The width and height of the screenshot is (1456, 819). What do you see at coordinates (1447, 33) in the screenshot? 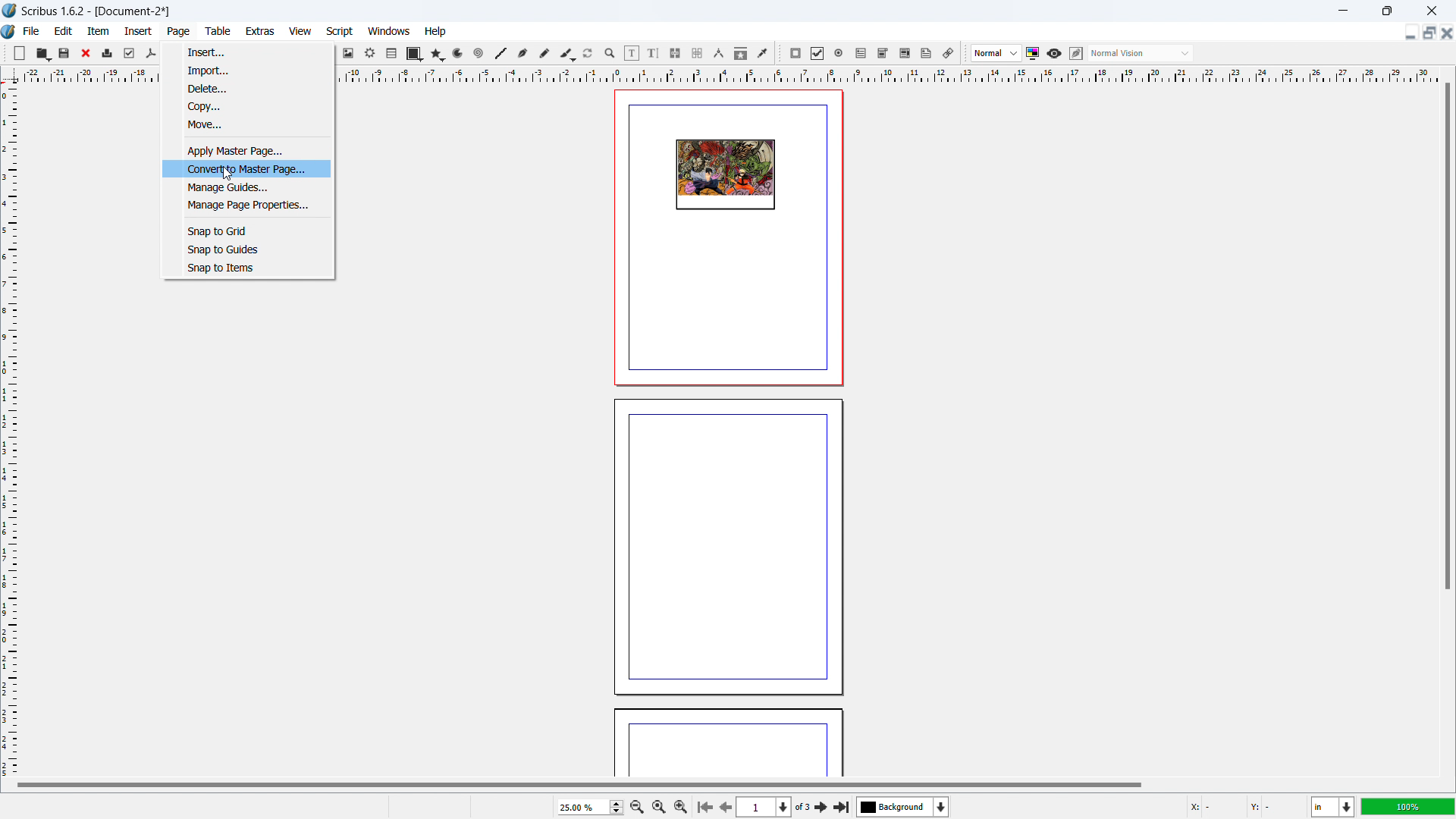
I see `close document` at bounding box center [1447, 33].